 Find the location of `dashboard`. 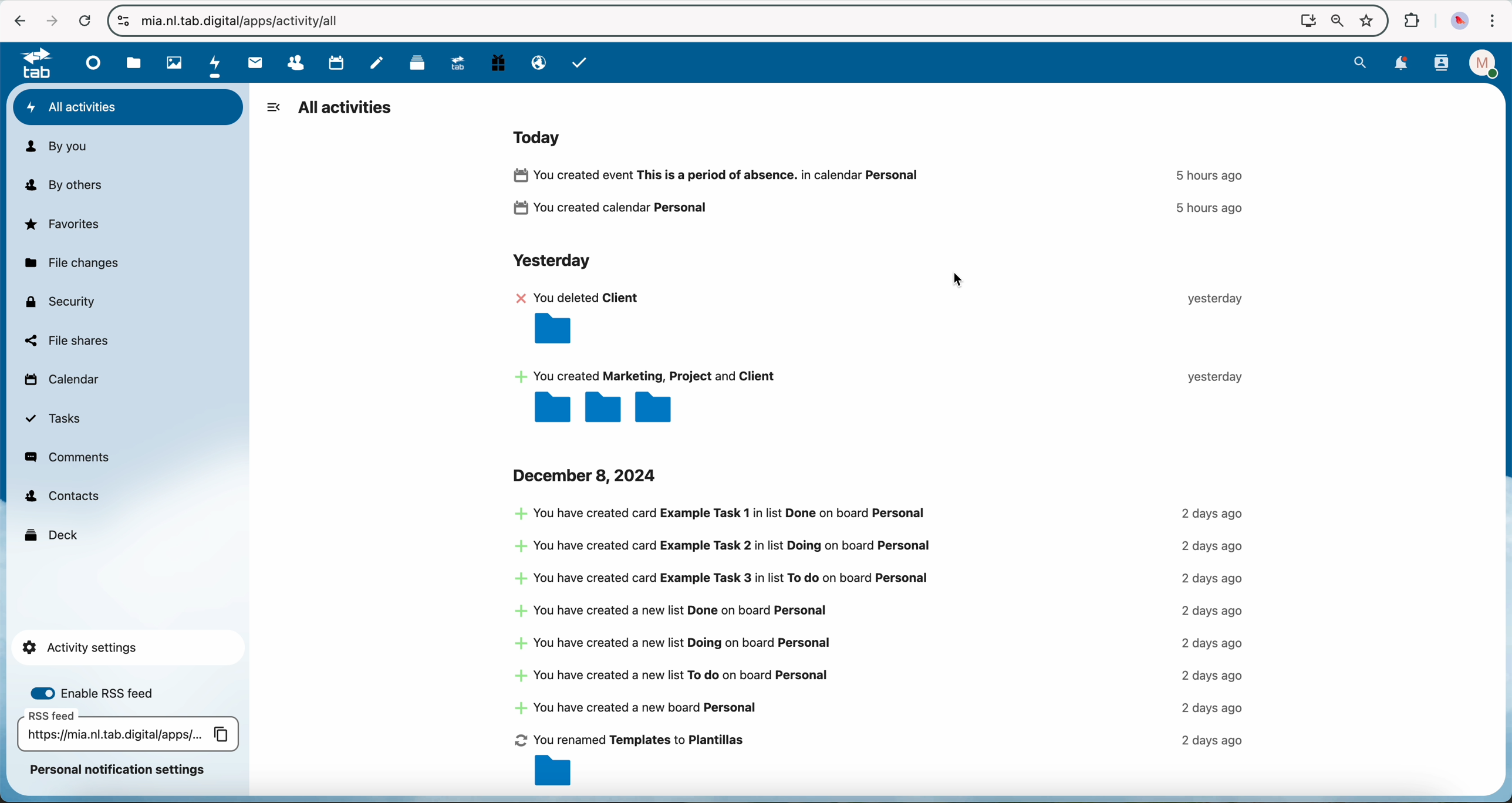

dashboard is located at coordinates (90, 62).